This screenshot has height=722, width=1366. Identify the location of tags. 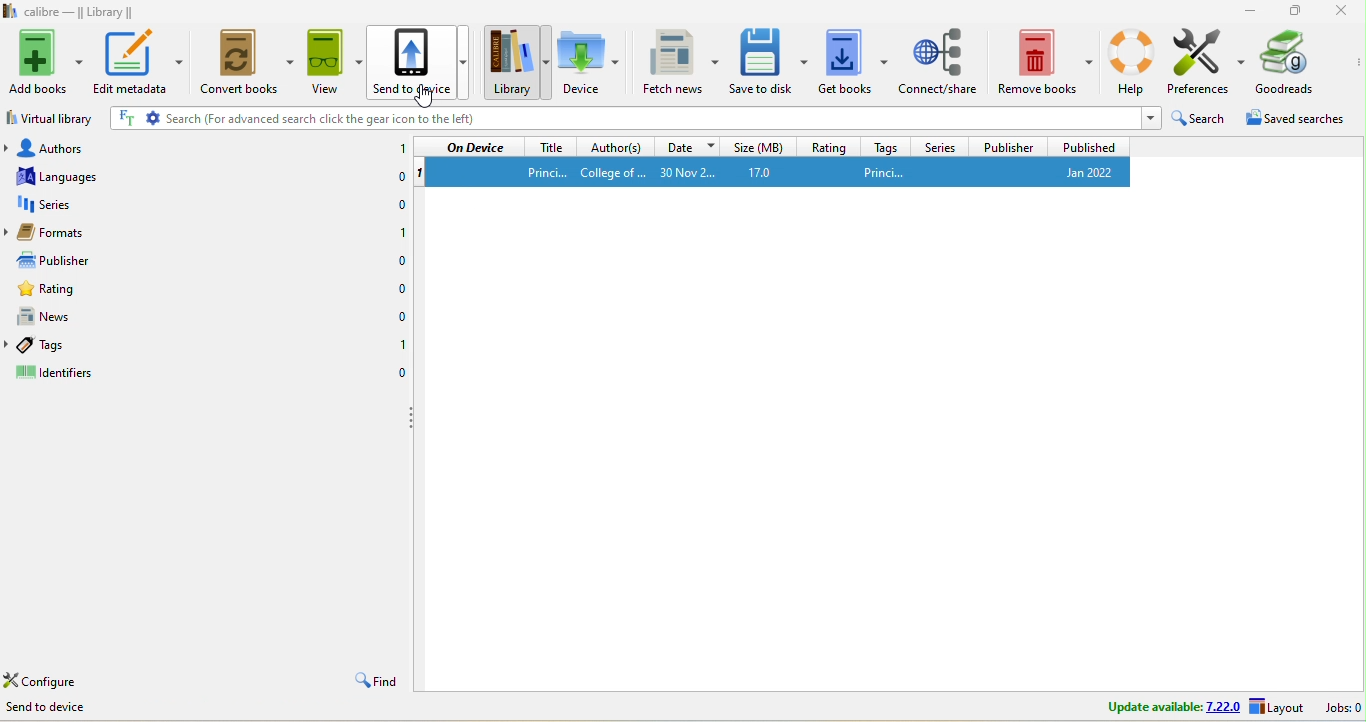
(43, 347).